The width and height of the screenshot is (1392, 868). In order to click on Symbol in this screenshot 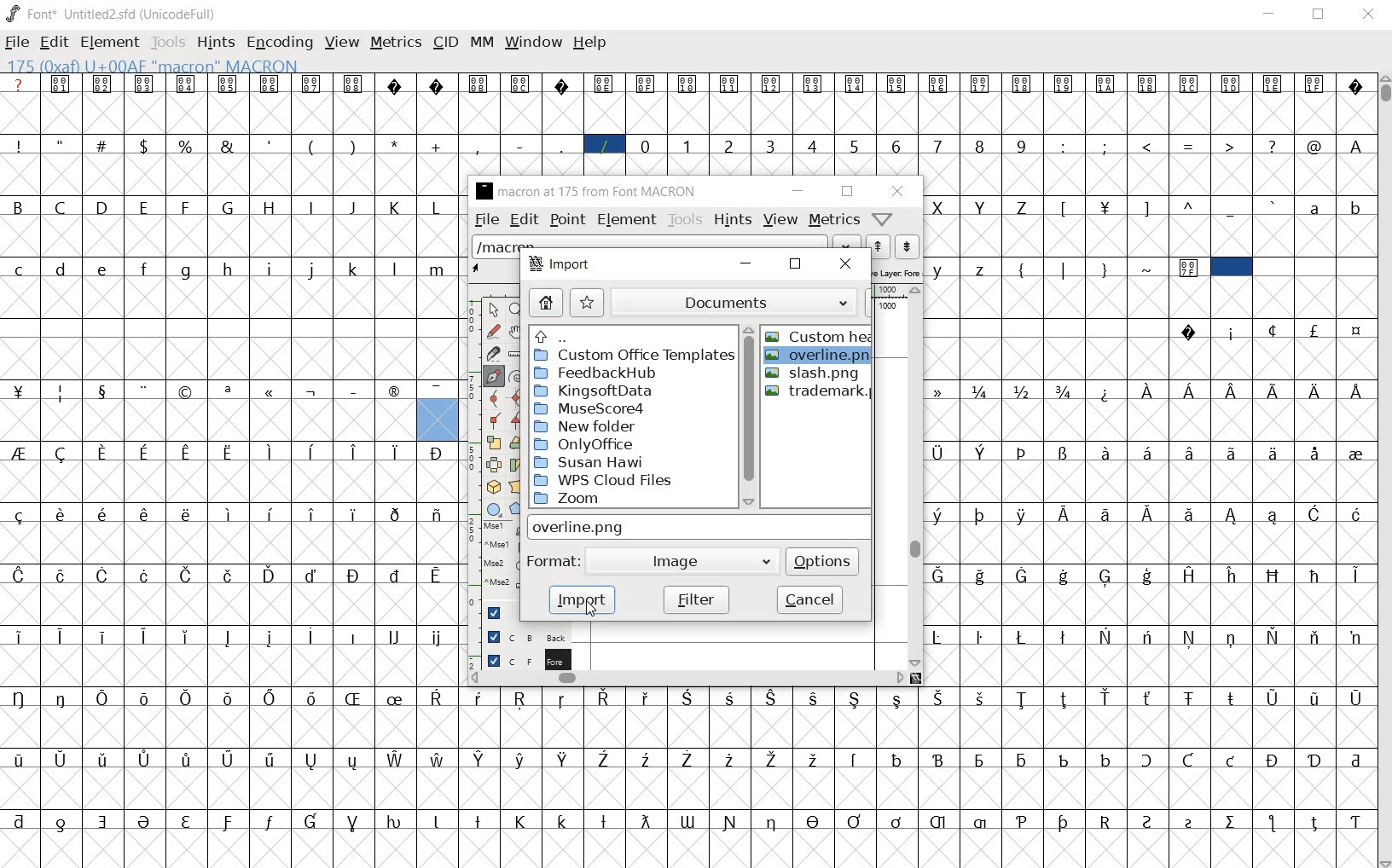, I will do `click(604, 819)`.